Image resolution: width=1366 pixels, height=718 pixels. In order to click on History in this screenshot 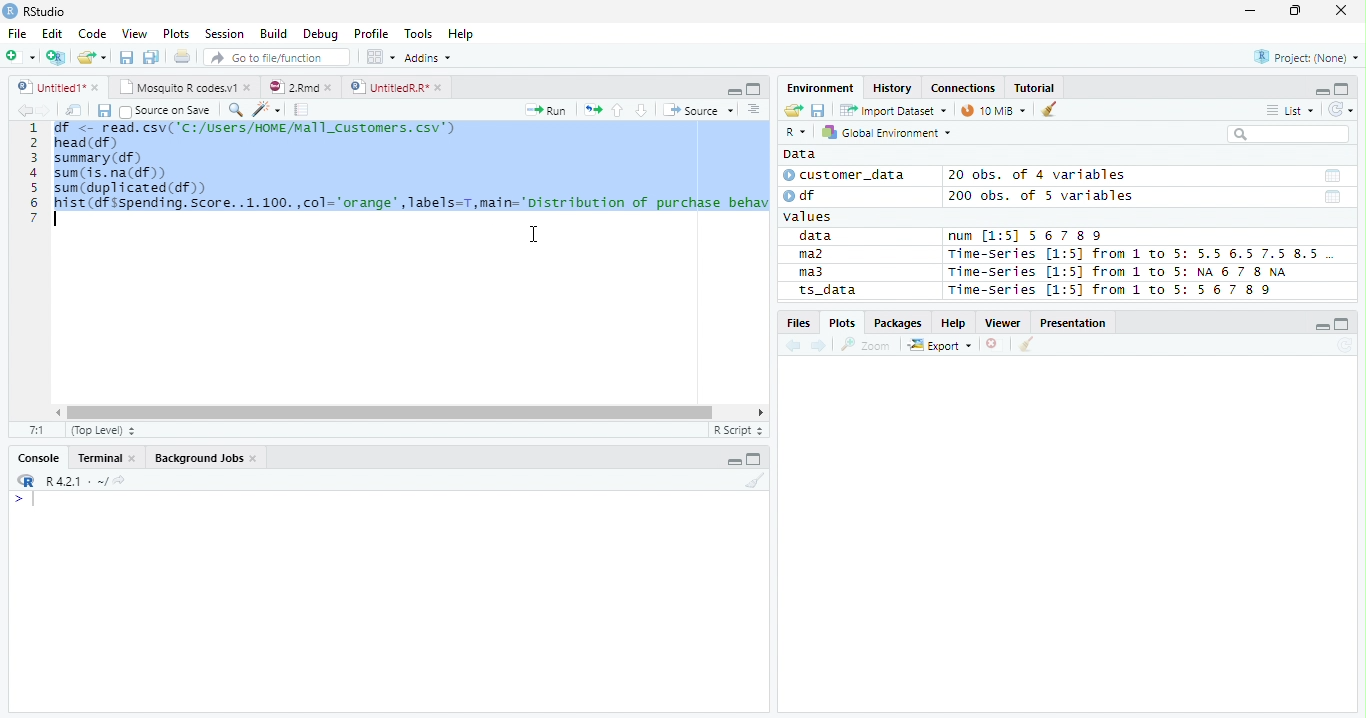, I will do `click(894, 89)`.